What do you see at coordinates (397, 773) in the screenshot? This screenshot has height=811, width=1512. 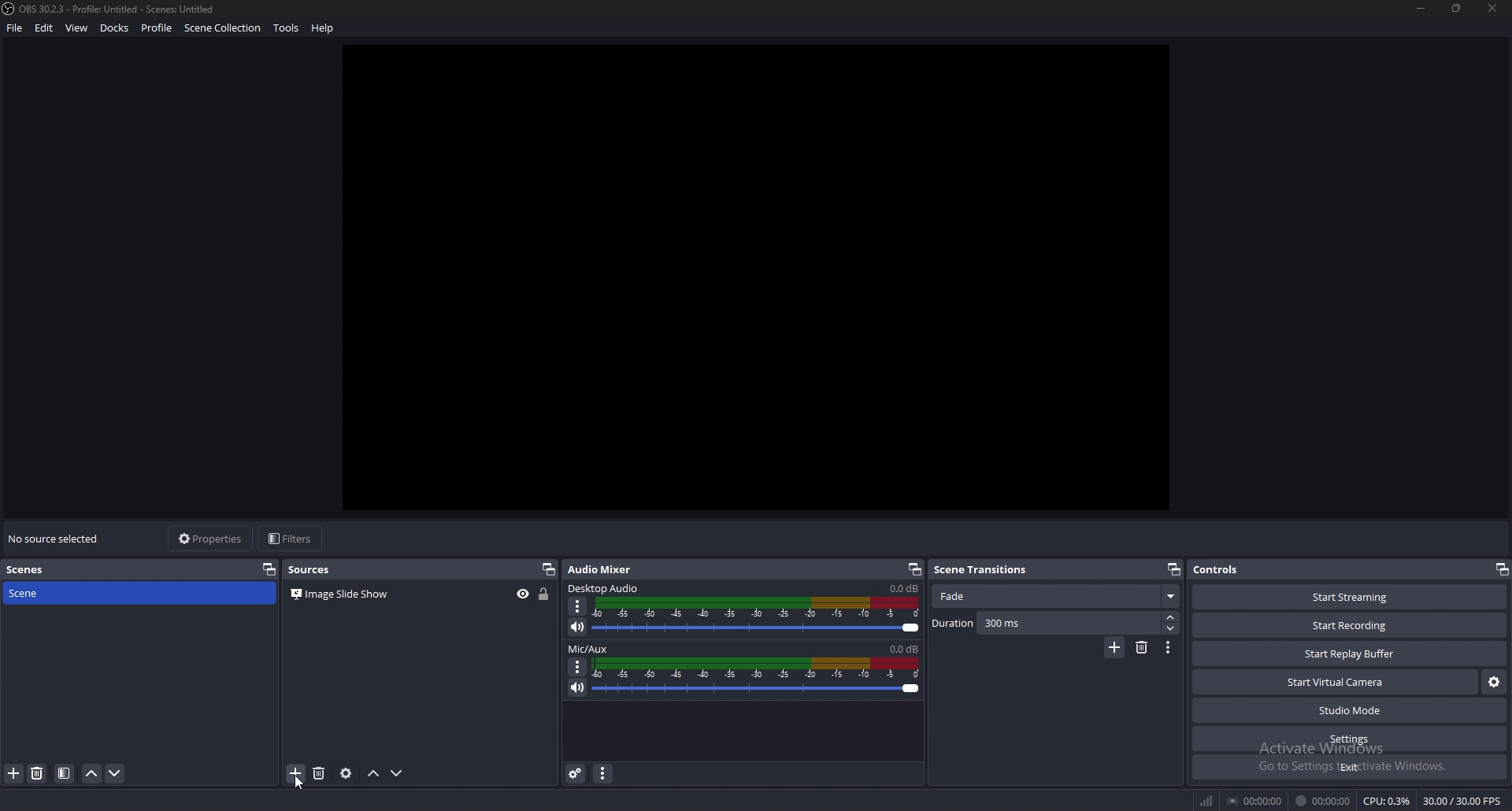 I see `move source down` at bounding box center [397, 773].